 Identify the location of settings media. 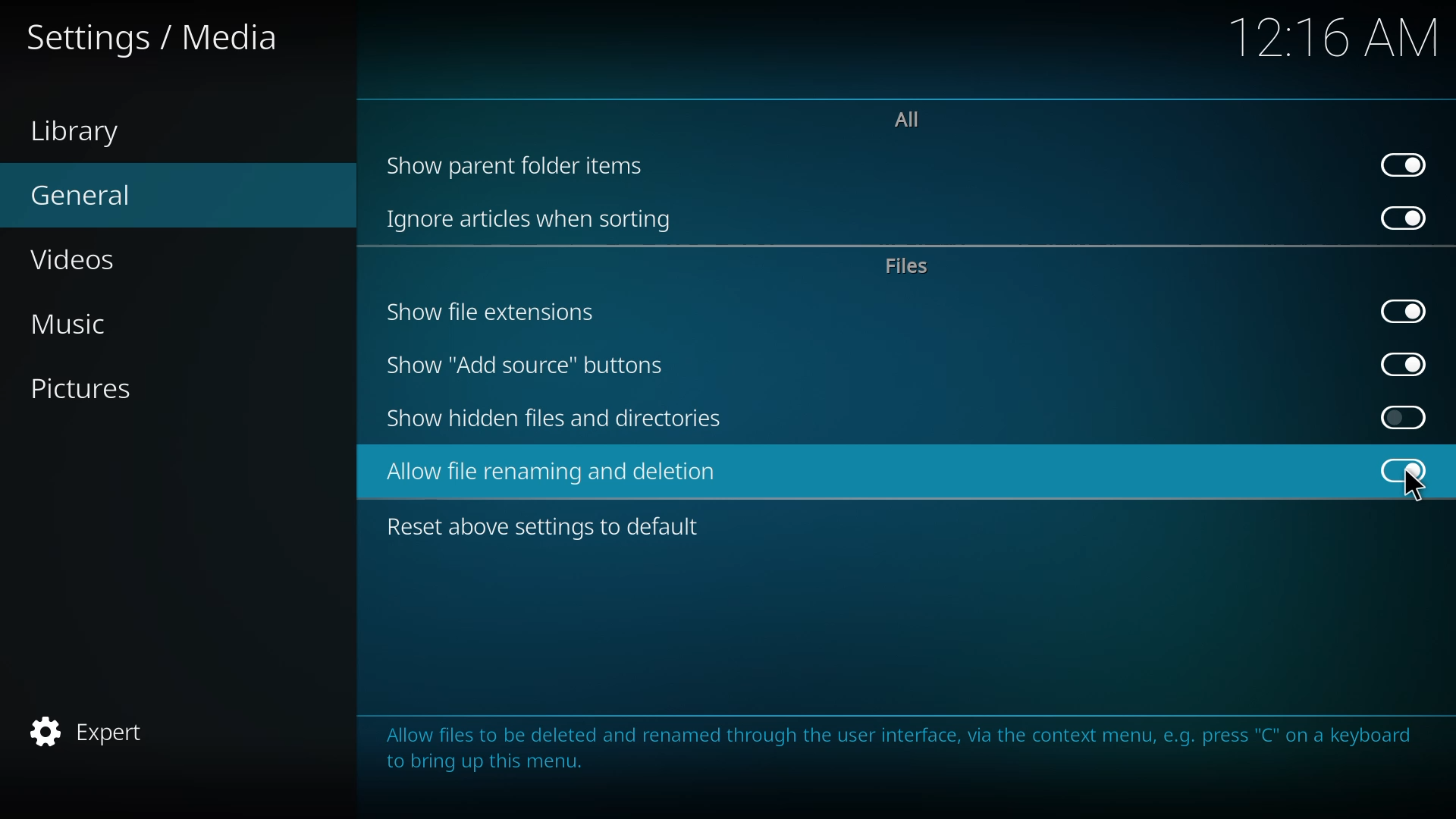
(160, 37).